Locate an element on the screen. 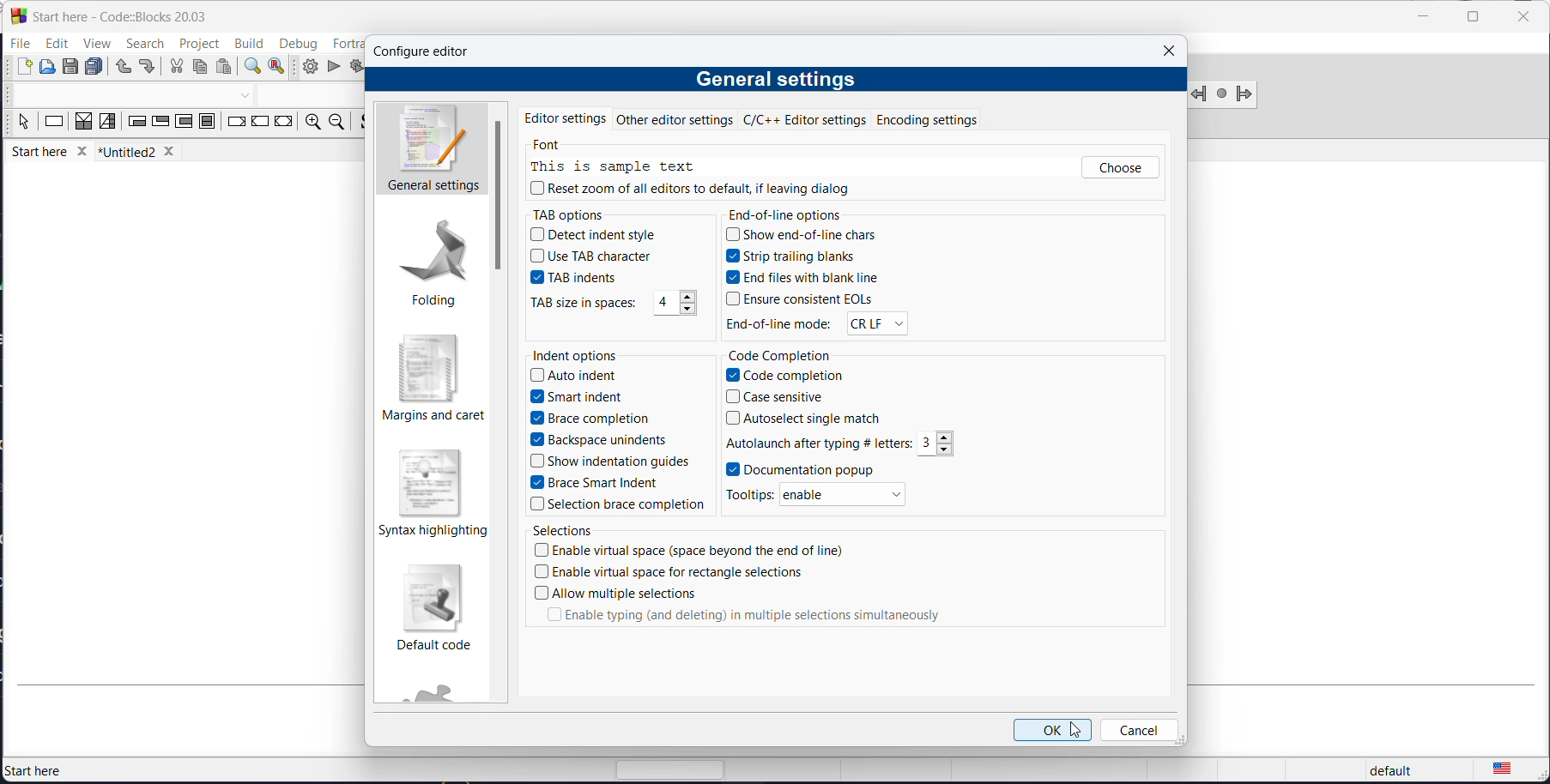 Image resolution: width=1550 pixels, height=784 pixels. tab space size is located at coordinates (659, 301).